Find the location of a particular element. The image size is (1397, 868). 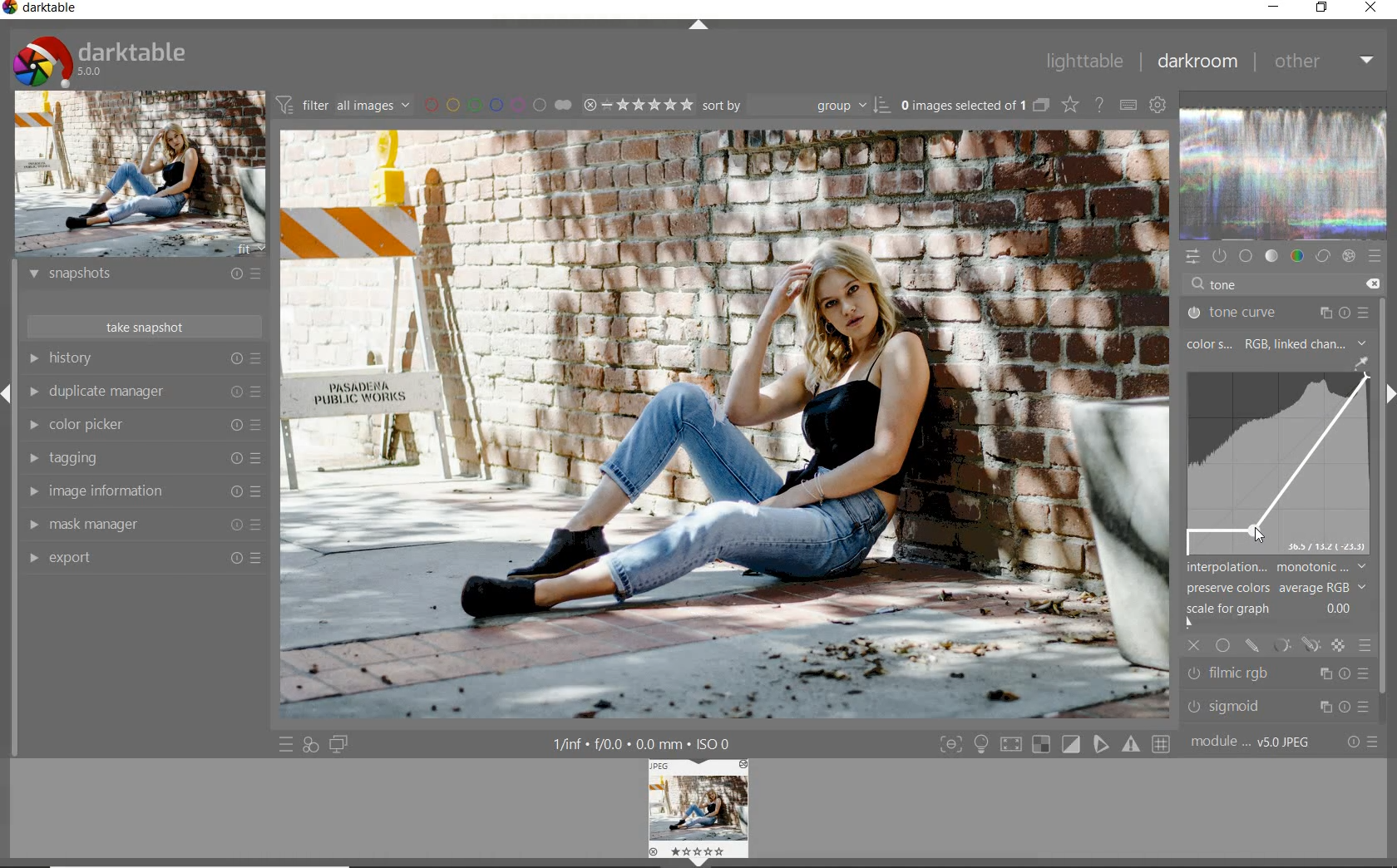

system name is located at coordinates (45, 10).